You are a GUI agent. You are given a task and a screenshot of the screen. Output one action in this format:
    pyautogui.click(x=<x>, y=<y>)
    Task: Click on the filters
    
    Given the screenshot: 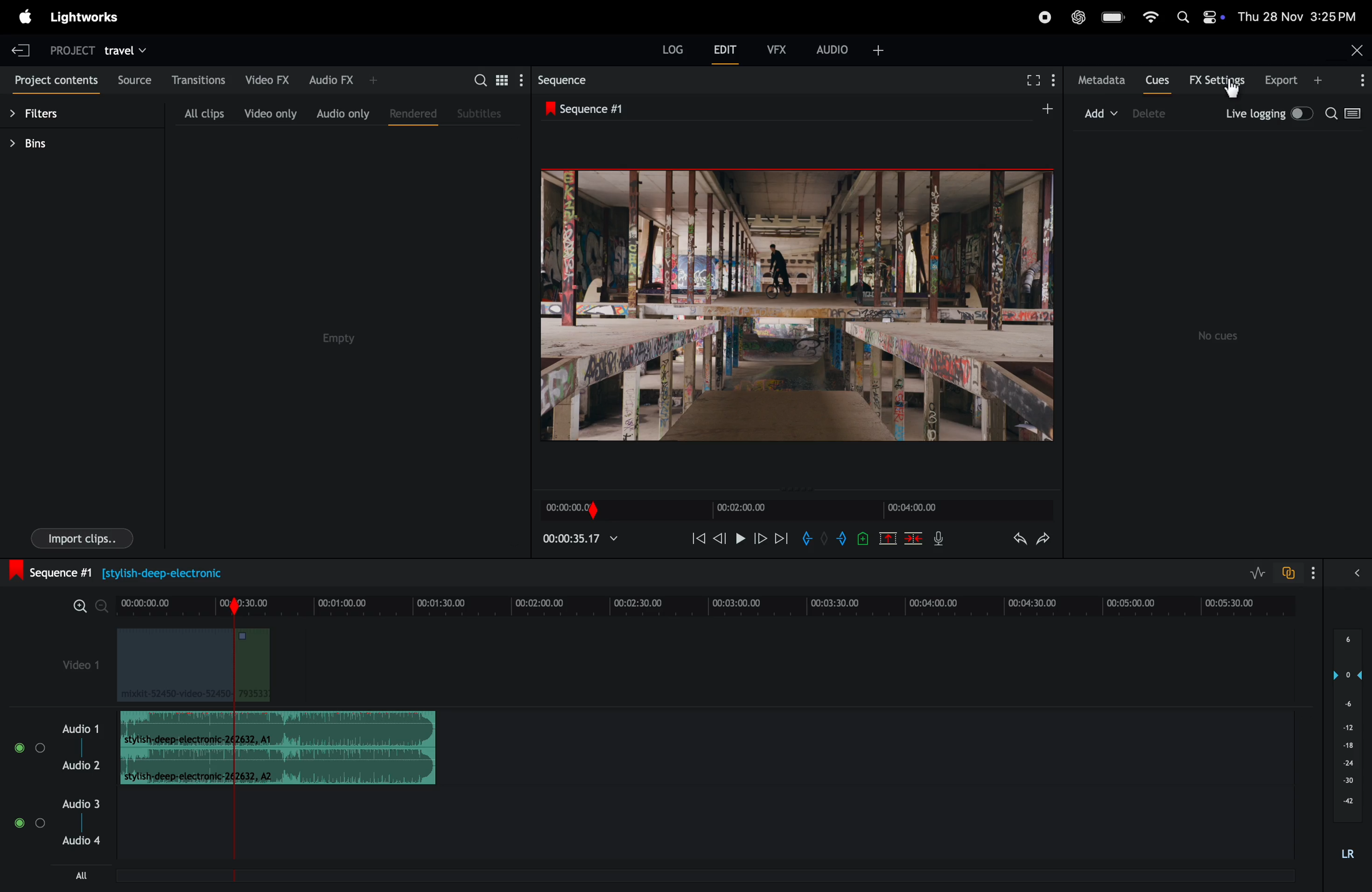 What is the action you would take?
    pyautogui.click(x=46, y=110)
    